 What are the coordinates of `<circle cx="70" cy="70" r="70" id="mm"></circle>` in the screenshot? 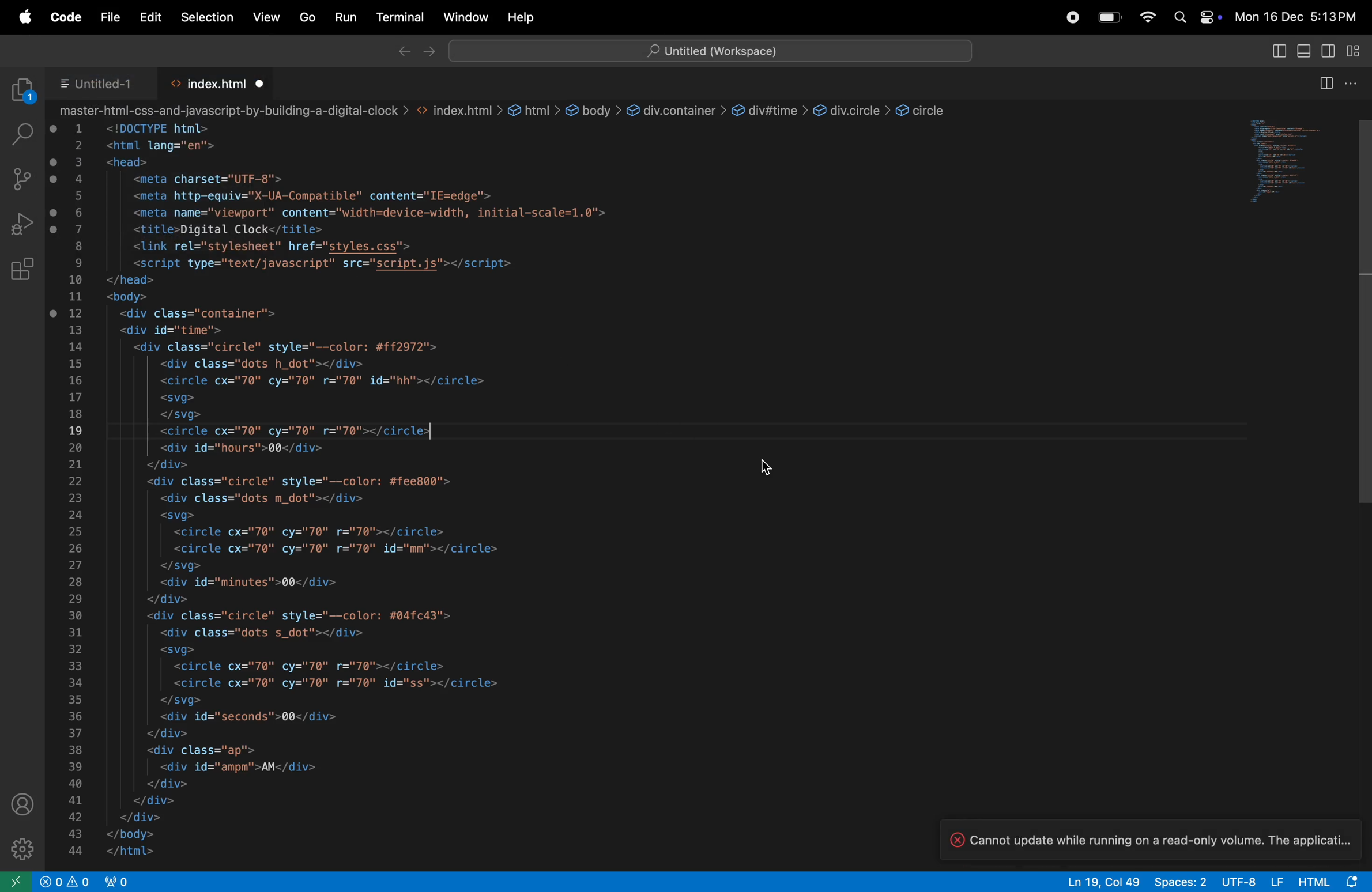 It's located at (342, 550).